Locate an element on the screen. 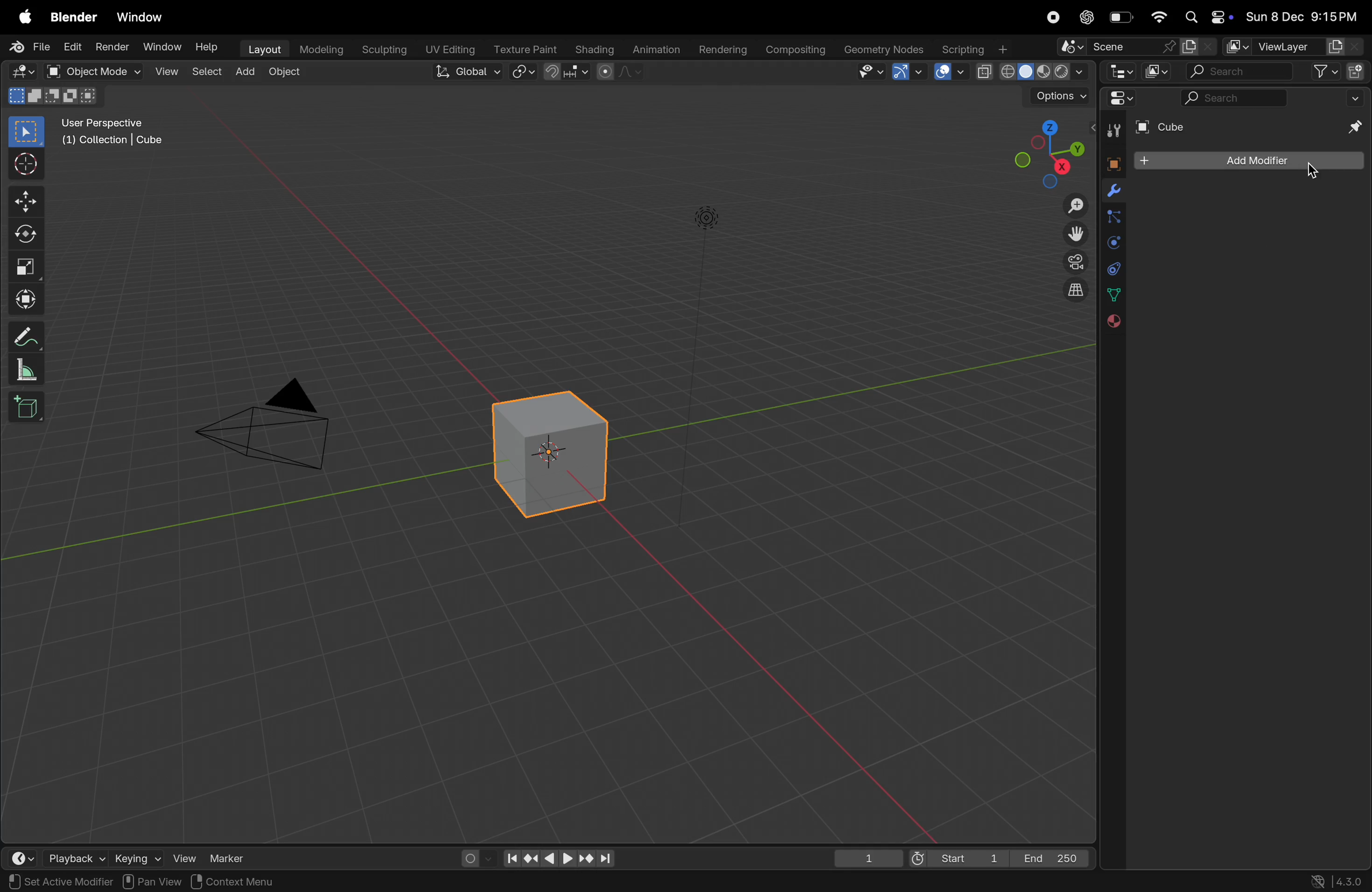 The height and width of the screenshot is (892, 1372). layout is located at coordinates (263, 48).